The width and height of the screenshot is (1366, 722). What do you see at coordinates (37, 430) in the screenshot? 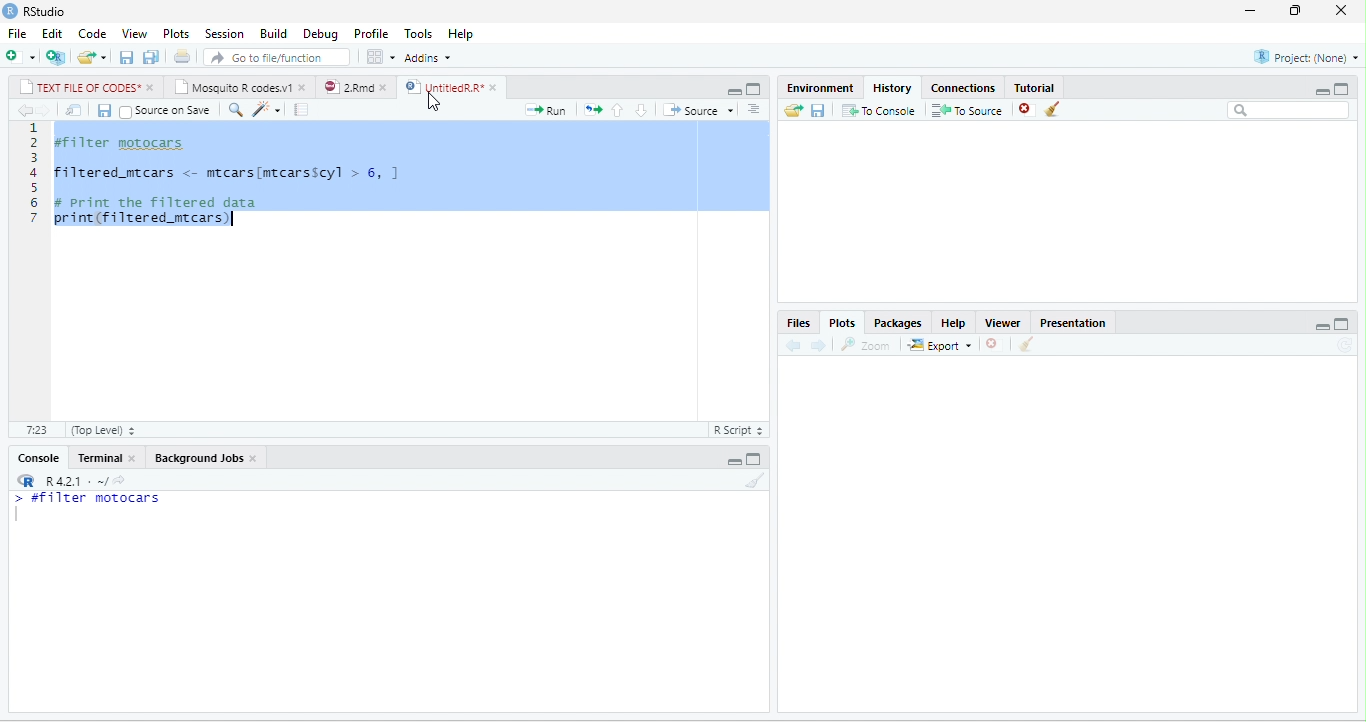
I see `7:23` at bounding box center [37, 430].